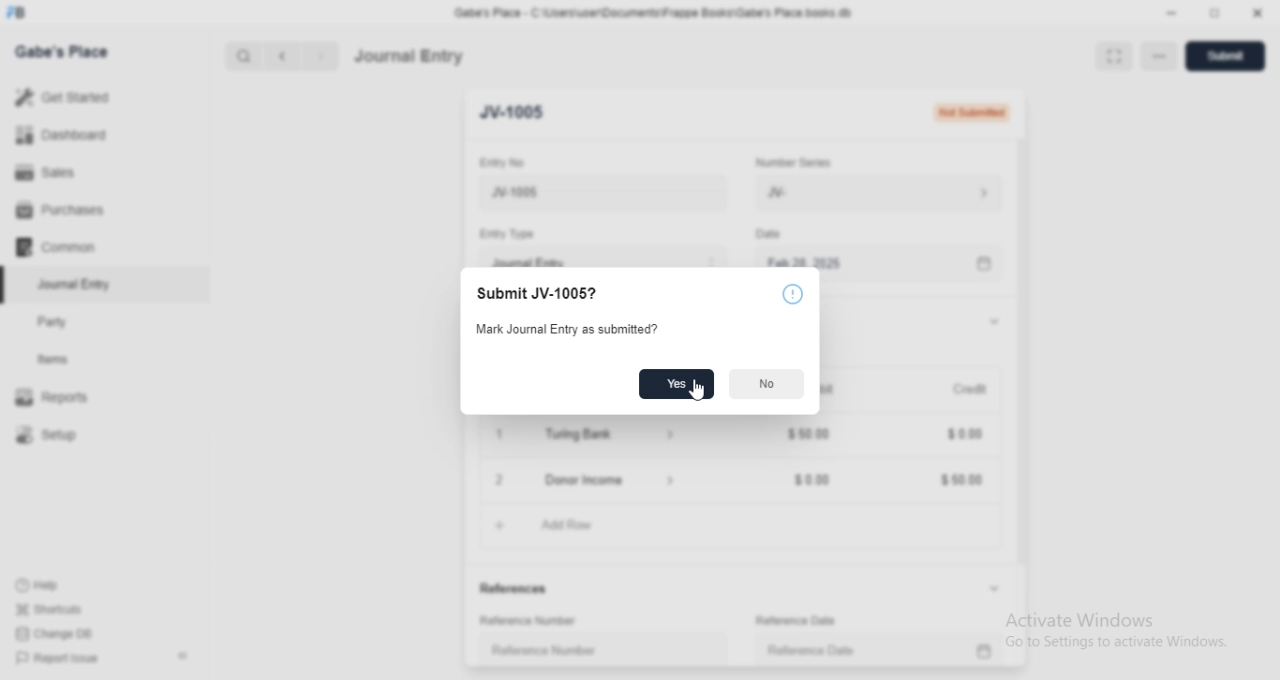 The image size is (1280, 680). Describe the element at coordinates (676, 384) in the screenshot. I see `Yes ` at that location.